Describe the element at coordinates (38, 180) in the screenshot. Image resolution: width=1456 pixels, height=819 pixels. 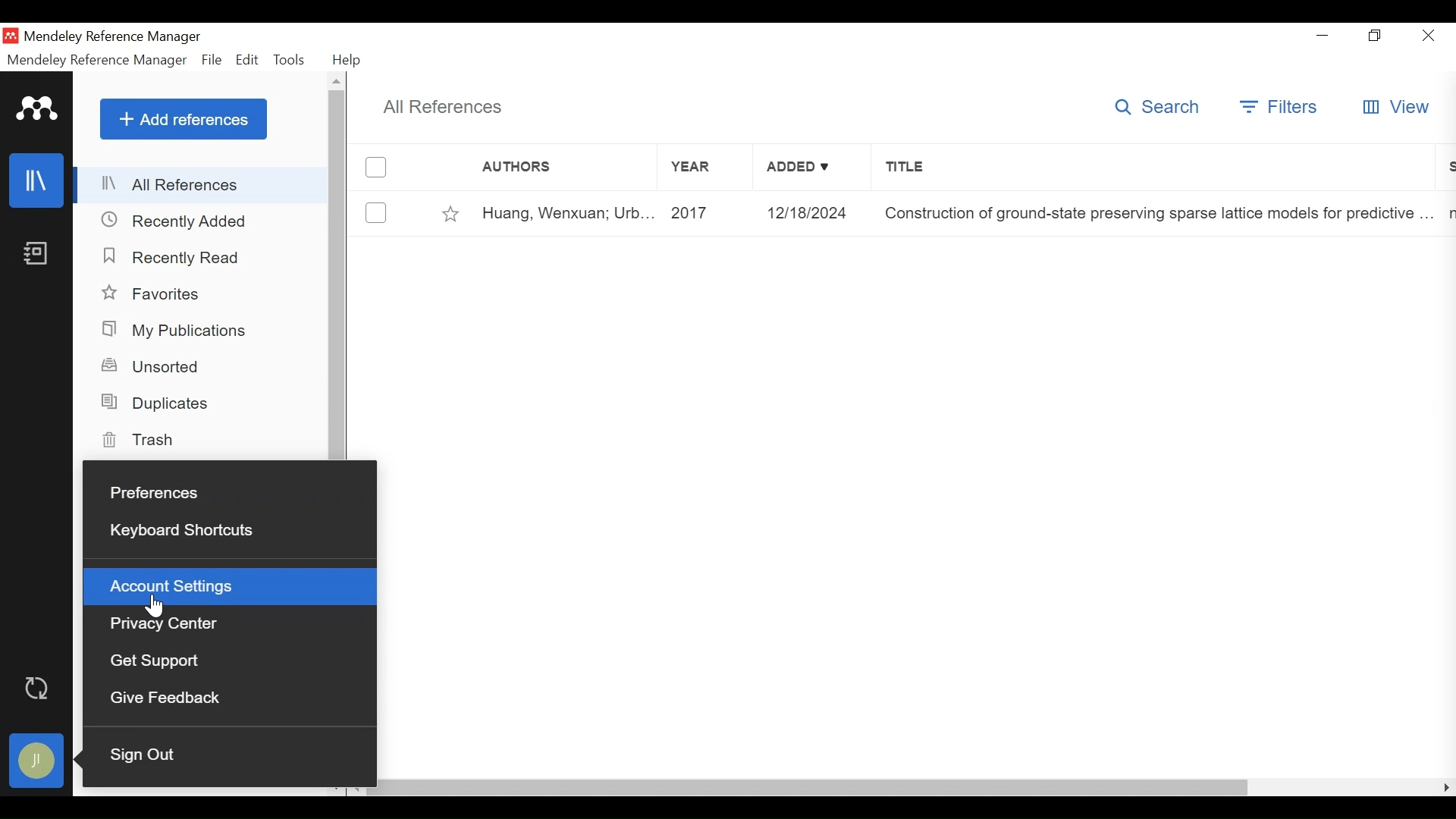
I see `Library` at that location.